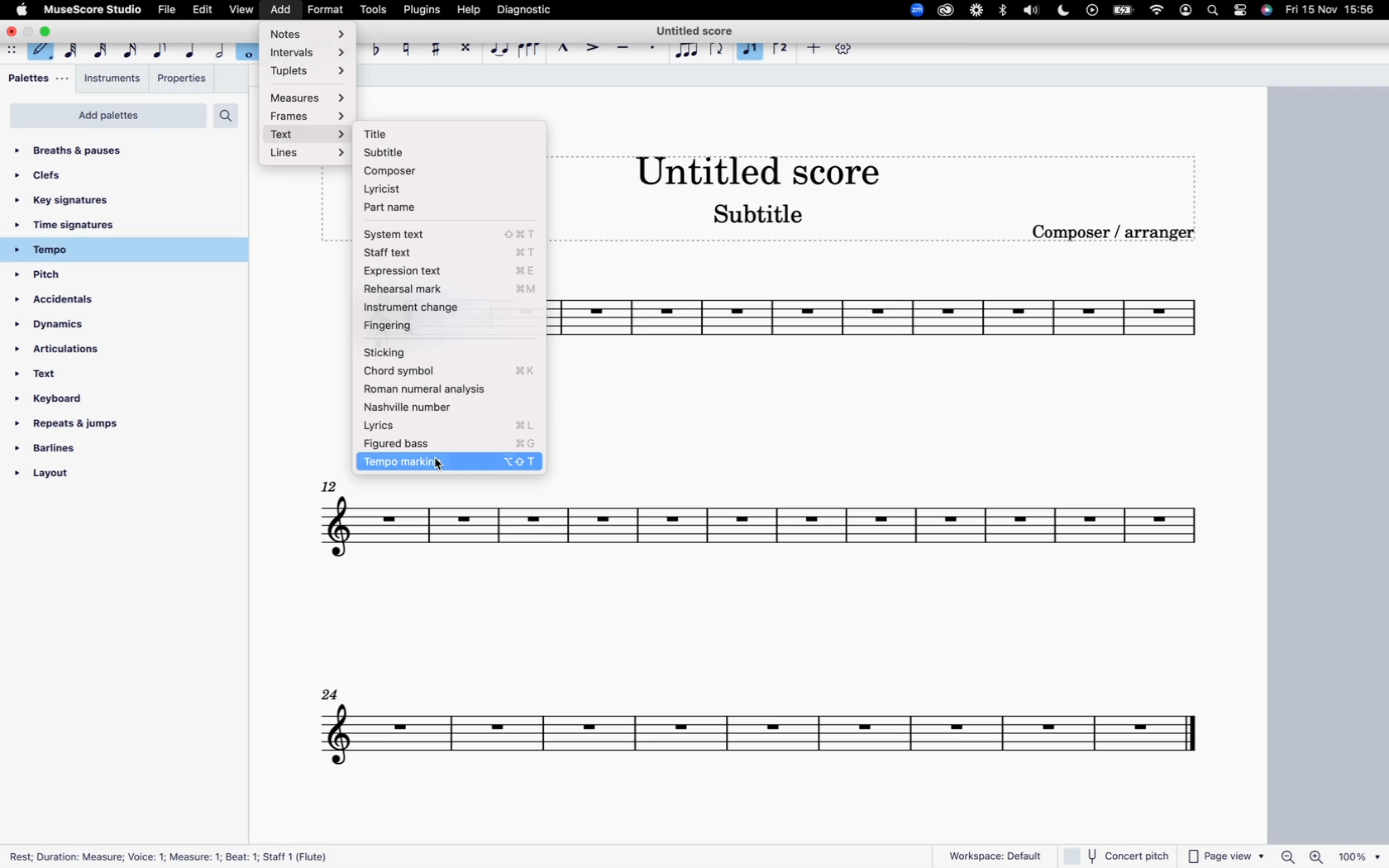 The height and width of the screenshot is (868, 1389). Describe the element at coordinates (109, 202) in the screenshot. I see `key signatures` at that location.